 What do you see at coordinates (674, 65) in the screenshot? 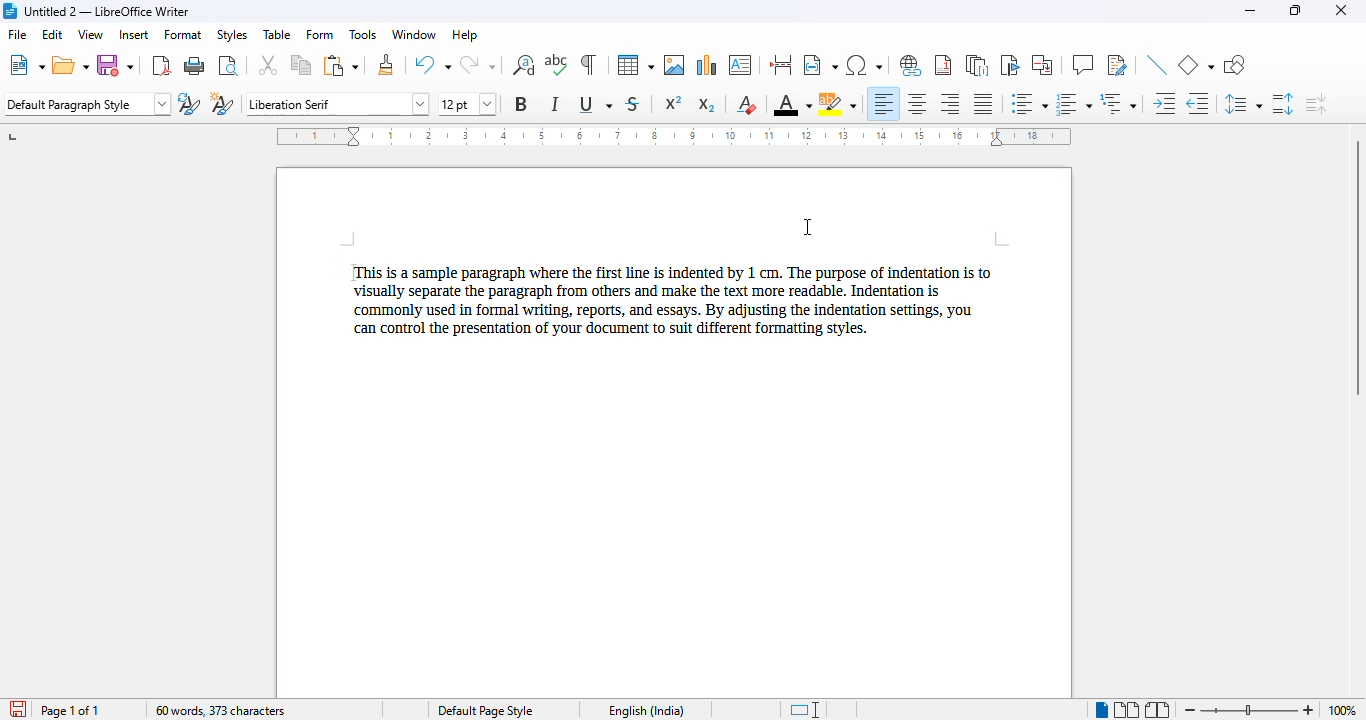
I see `insert image` at bounding box center [674, 65].